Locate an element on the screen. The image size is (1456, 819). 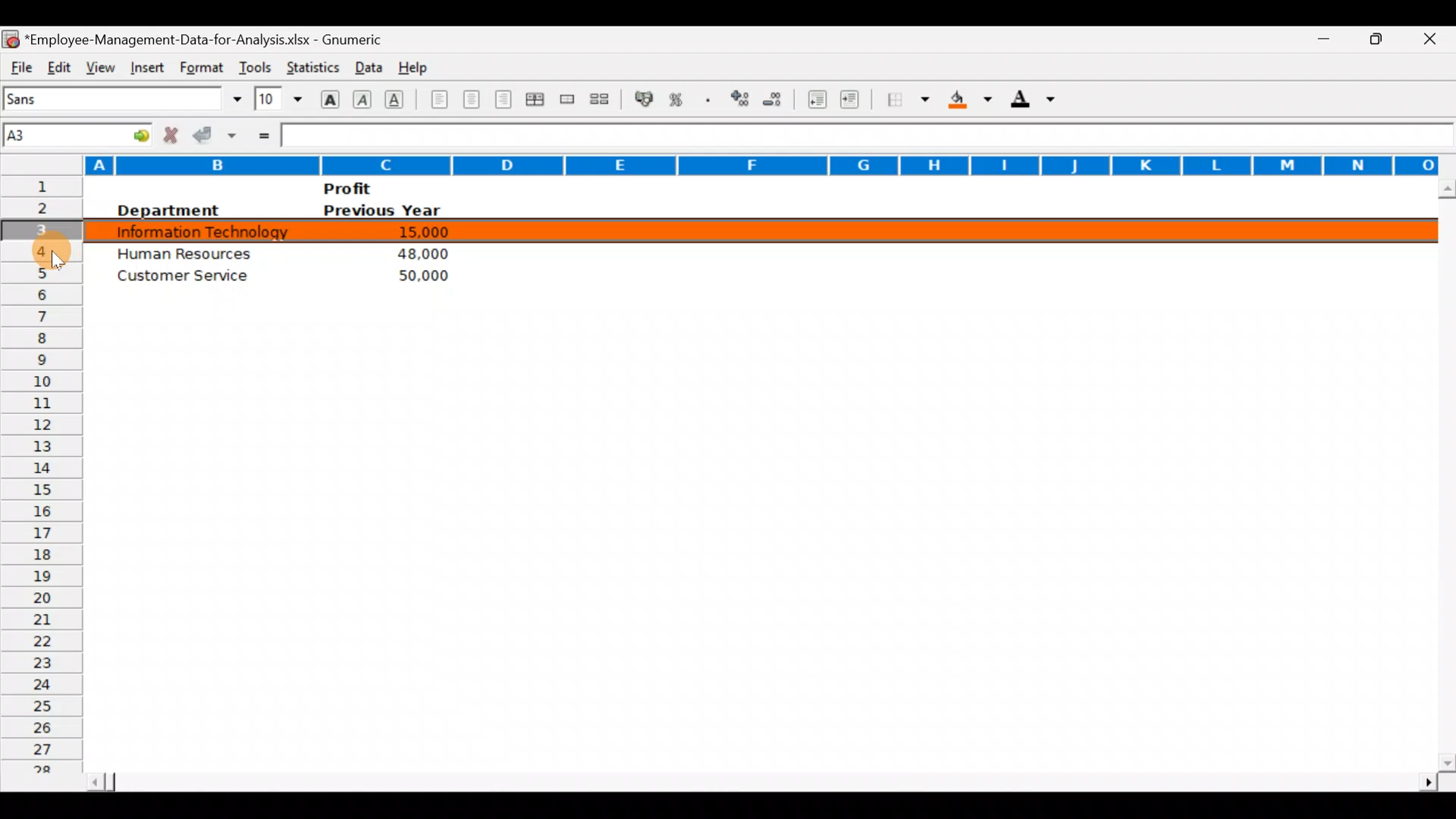
Previous year is located at coordinates (382, 211).